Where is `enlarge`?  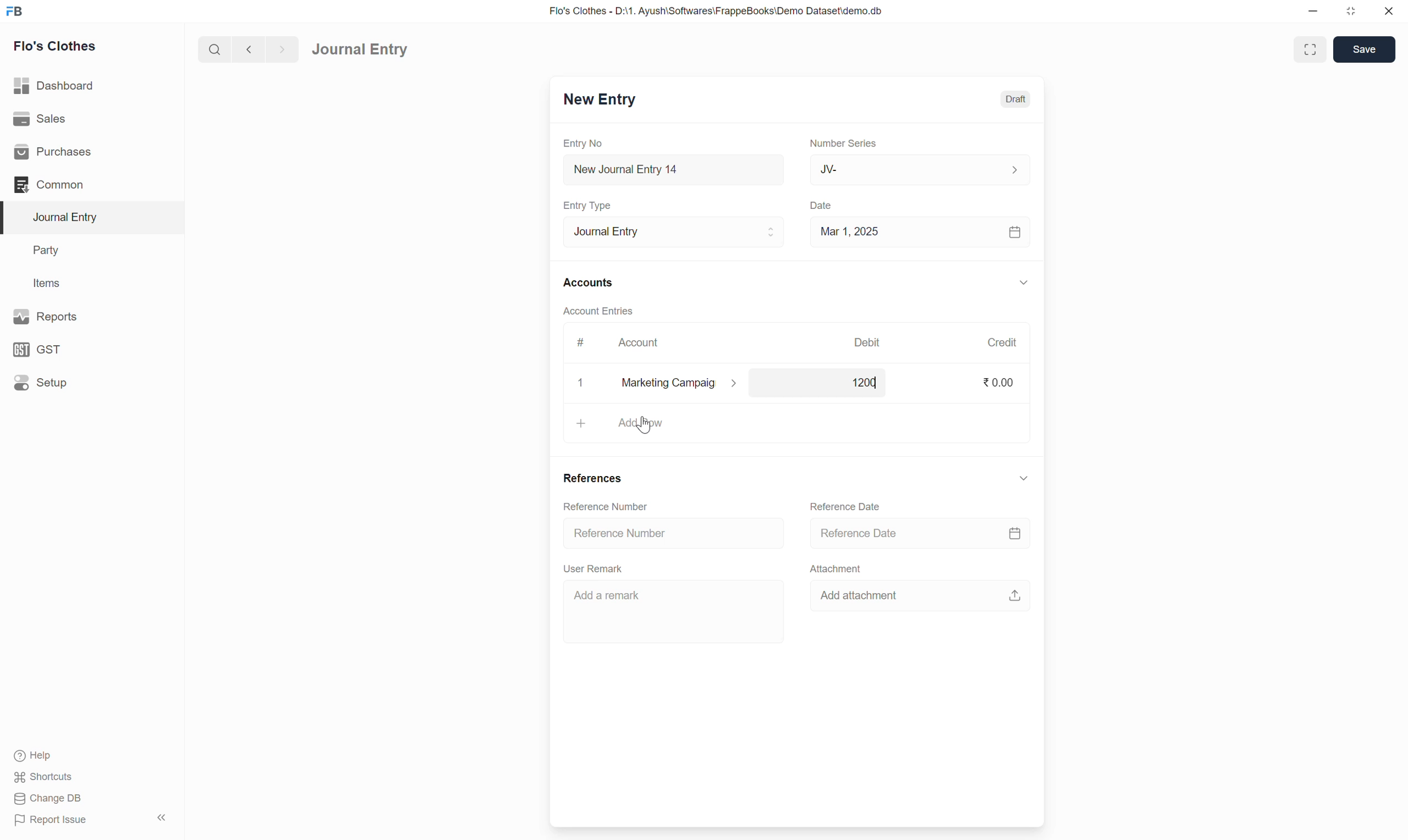
enlarge is located at coordinates (1312, 48).